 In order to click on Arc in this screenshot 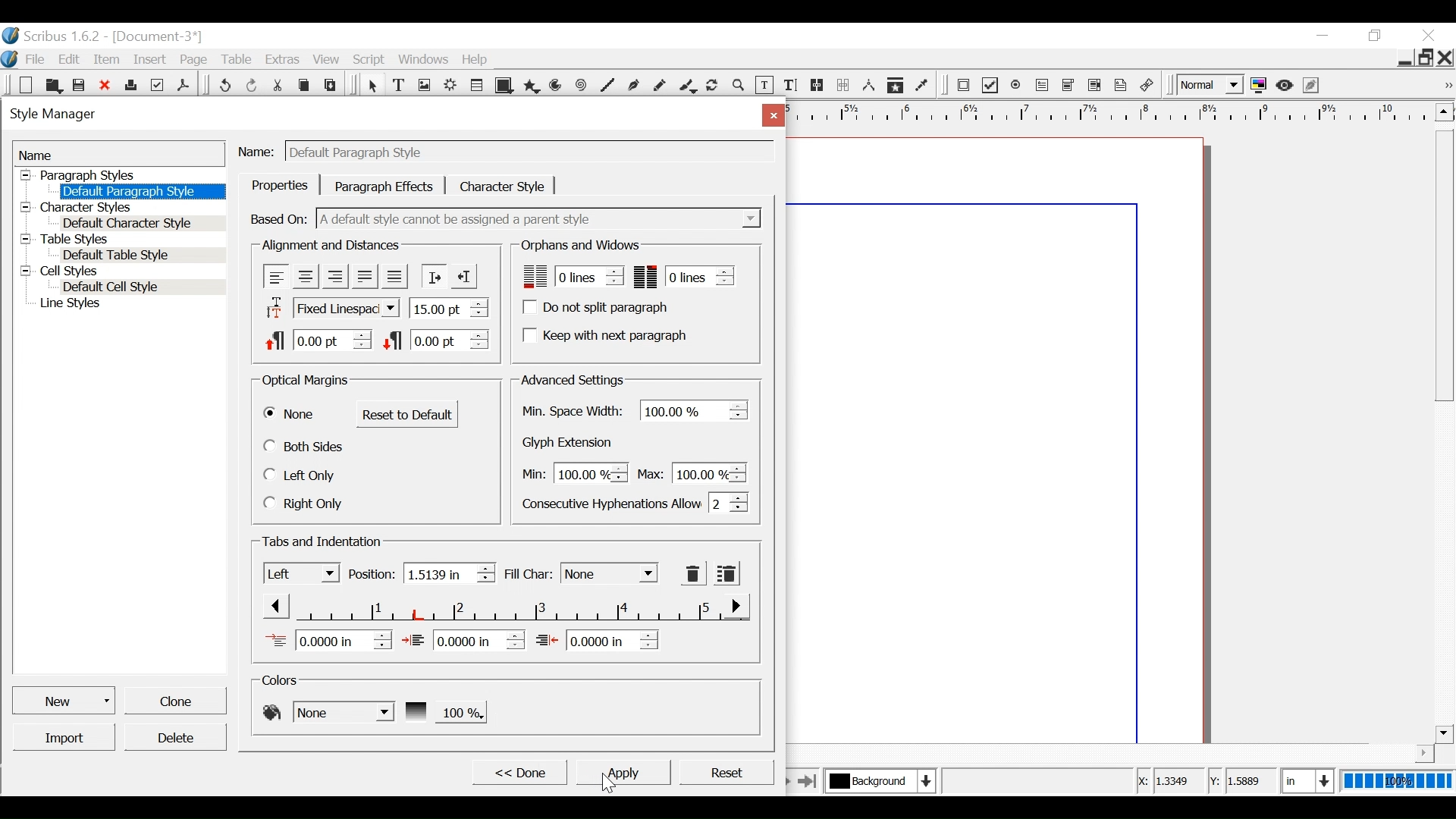, I will do `click(557, 86)`.